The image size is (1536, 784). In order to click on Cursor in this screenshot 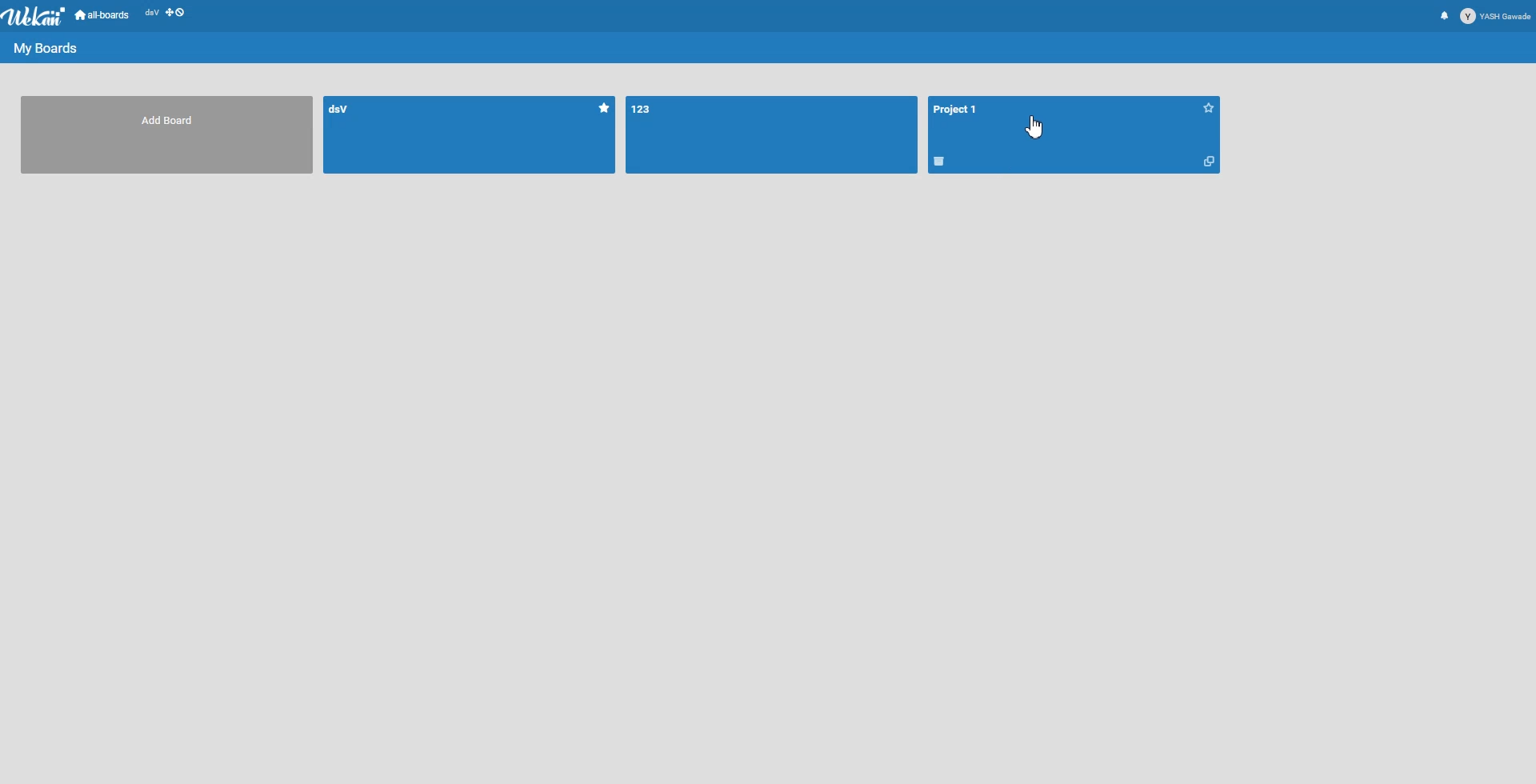, I will do `click(1034, 127)`.